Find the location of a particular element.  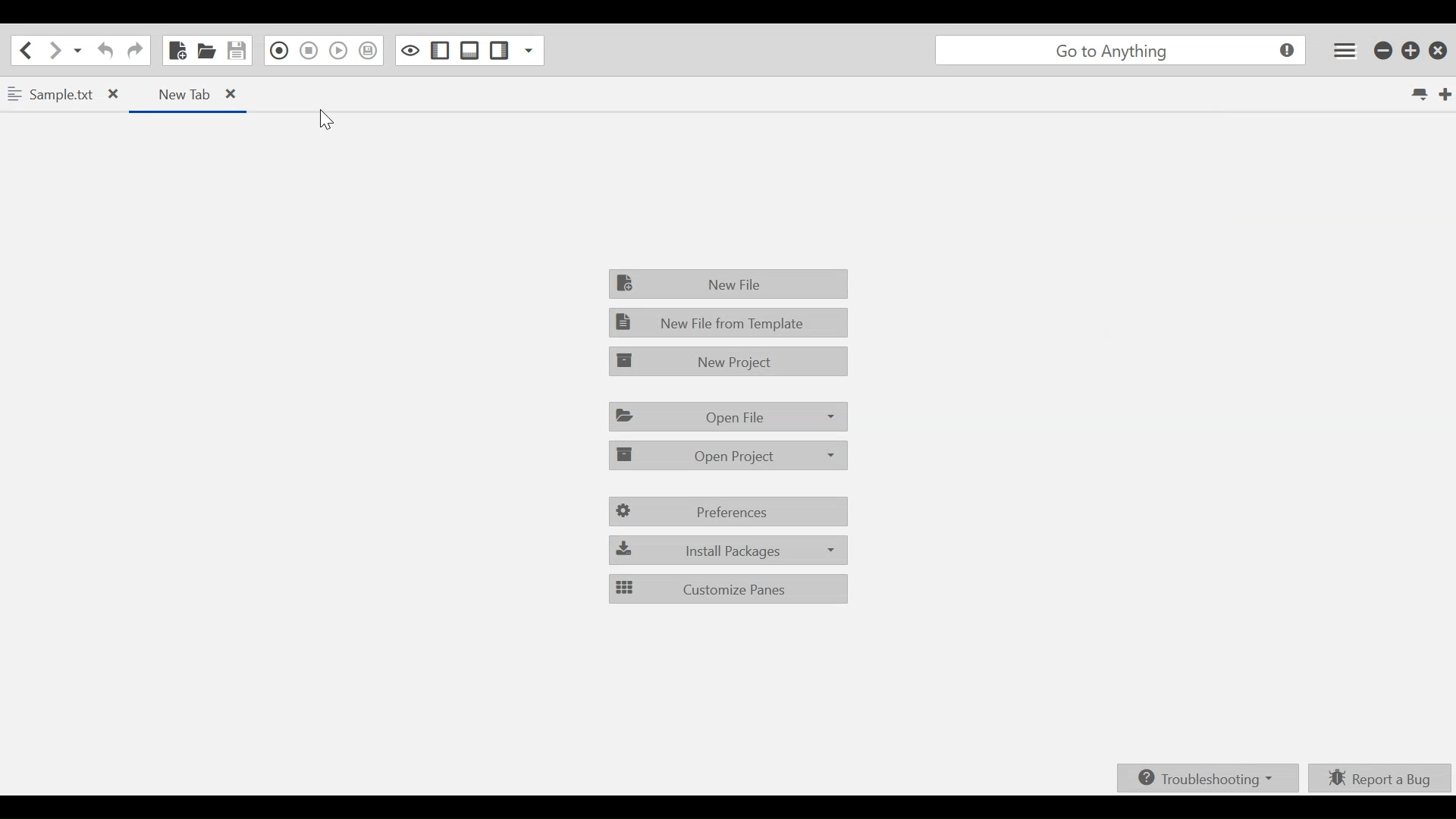

Undo last Action is located at coordinates (107, 50).